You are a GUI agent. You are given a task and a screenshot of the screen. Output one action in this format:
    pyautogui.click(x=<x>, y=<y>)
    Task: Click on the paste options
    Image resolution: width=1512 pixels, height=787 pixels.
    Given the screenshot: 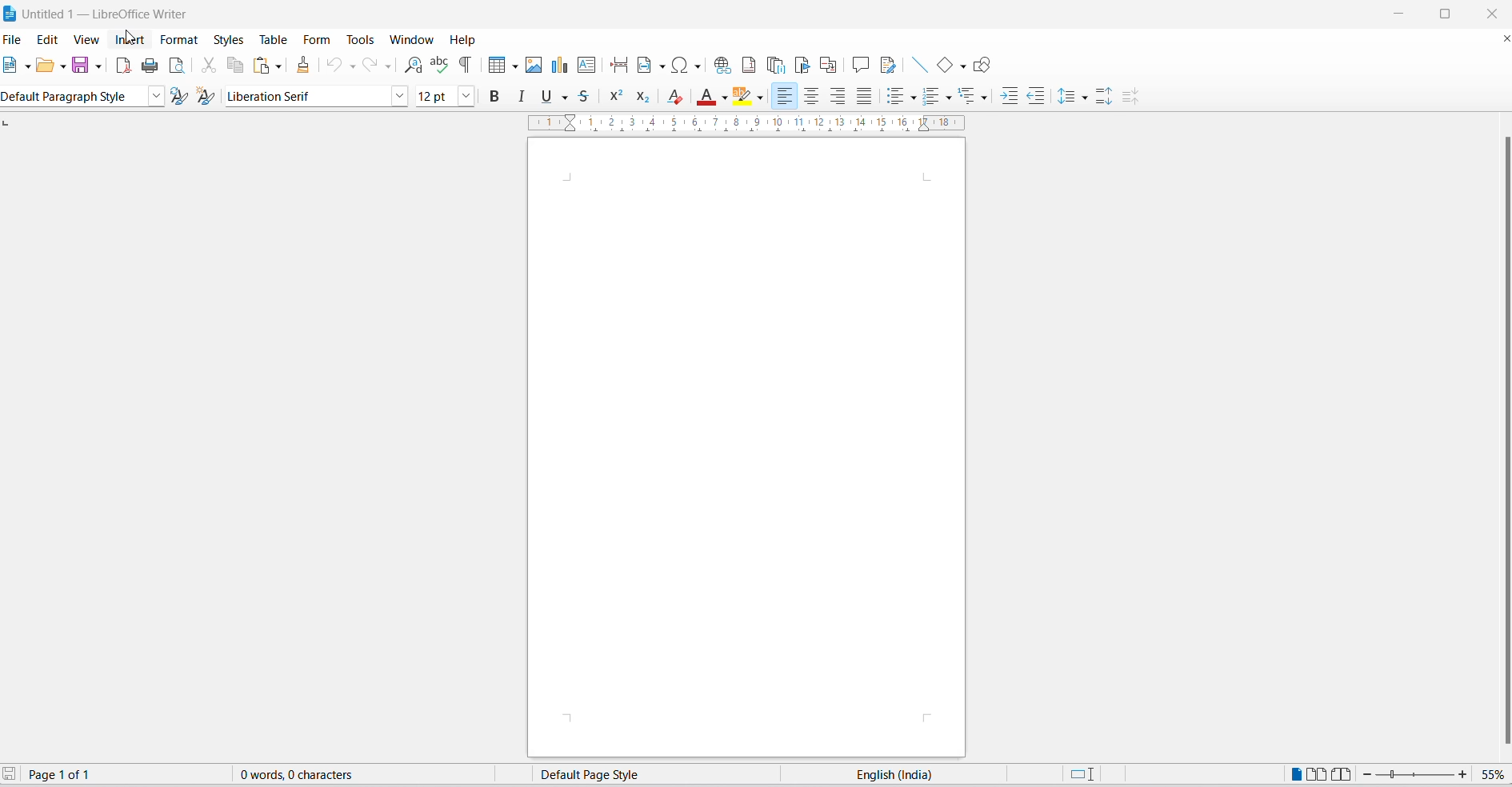 What is the action you would take?
    pyautogui.click(x=260, y=66)
    